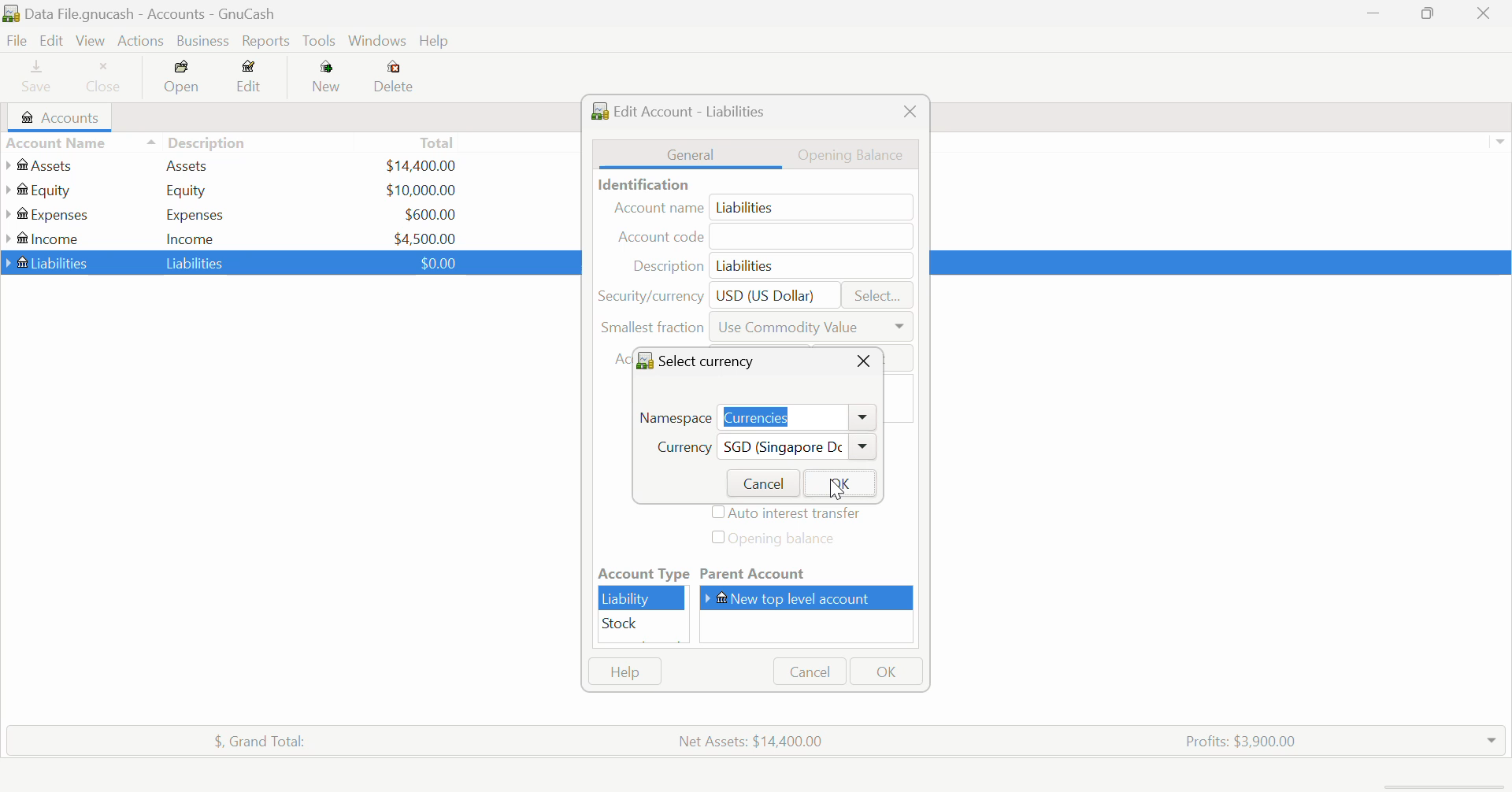 The height and width of the screenshot is (792, 1512). Describe the element at coordinates (321, 42) in the screenshot. I see `Tools` at that location.